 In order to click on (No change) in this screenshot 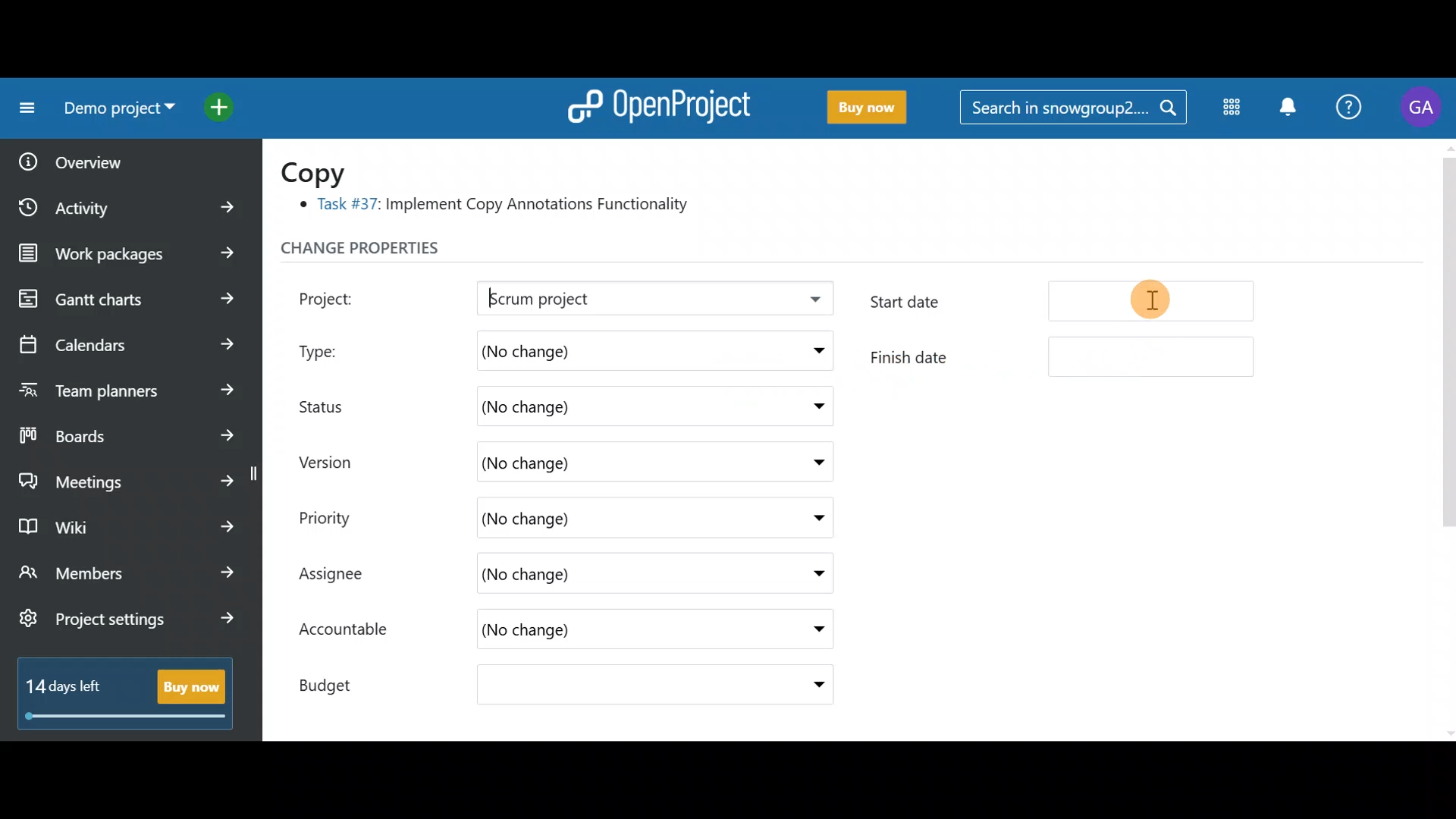, I will do `click(604, 687)`.